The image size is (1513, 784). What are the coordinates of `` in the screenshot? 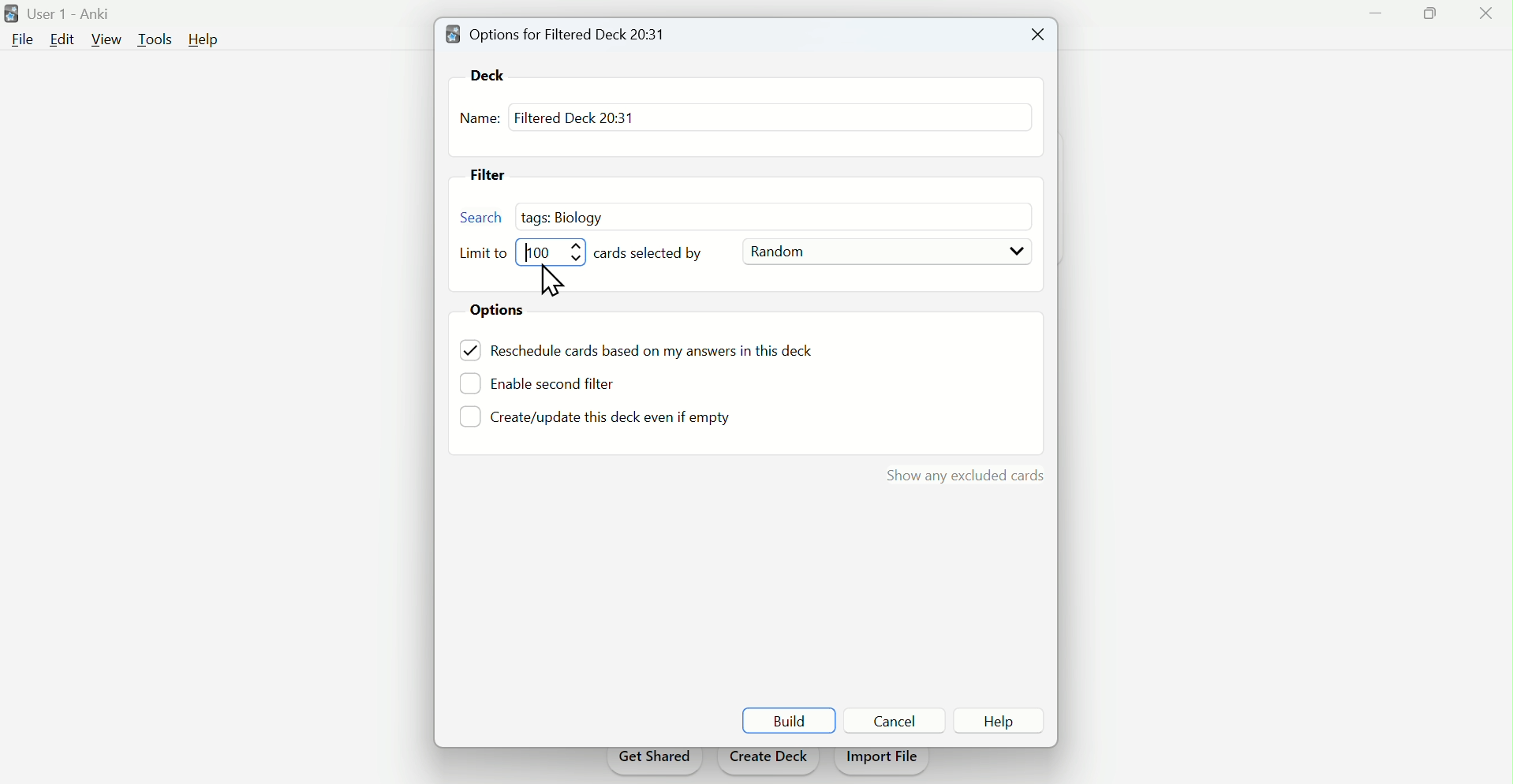 It's located at (898, 720).